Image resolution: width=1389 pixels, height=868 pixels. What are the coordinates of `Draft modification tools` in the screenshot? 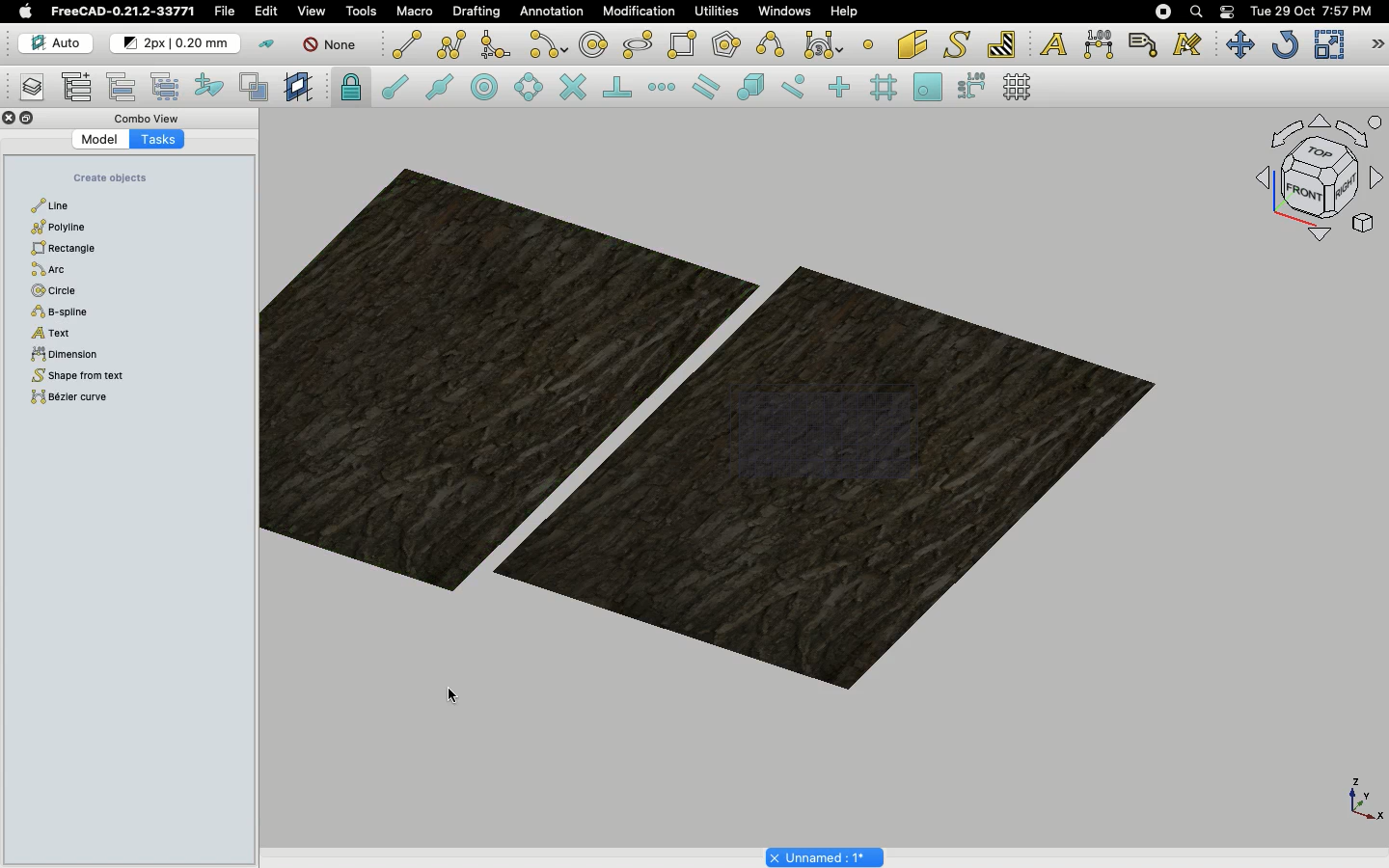 It's located at (1376, 46).